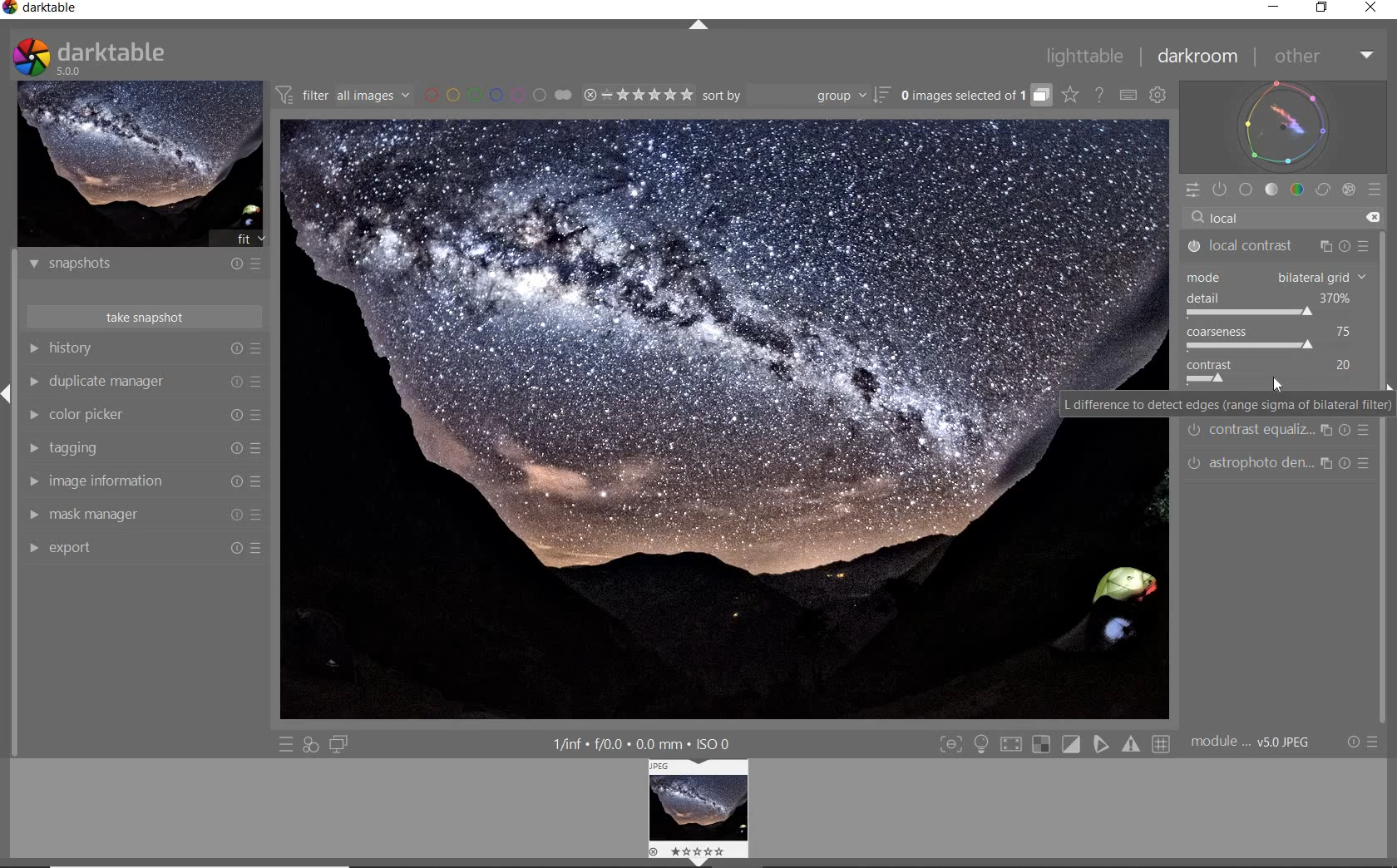  What do you see at coordinates (1298, 190) in the screenshot?
I see `COLOR` at bounding box center [1298, 190].